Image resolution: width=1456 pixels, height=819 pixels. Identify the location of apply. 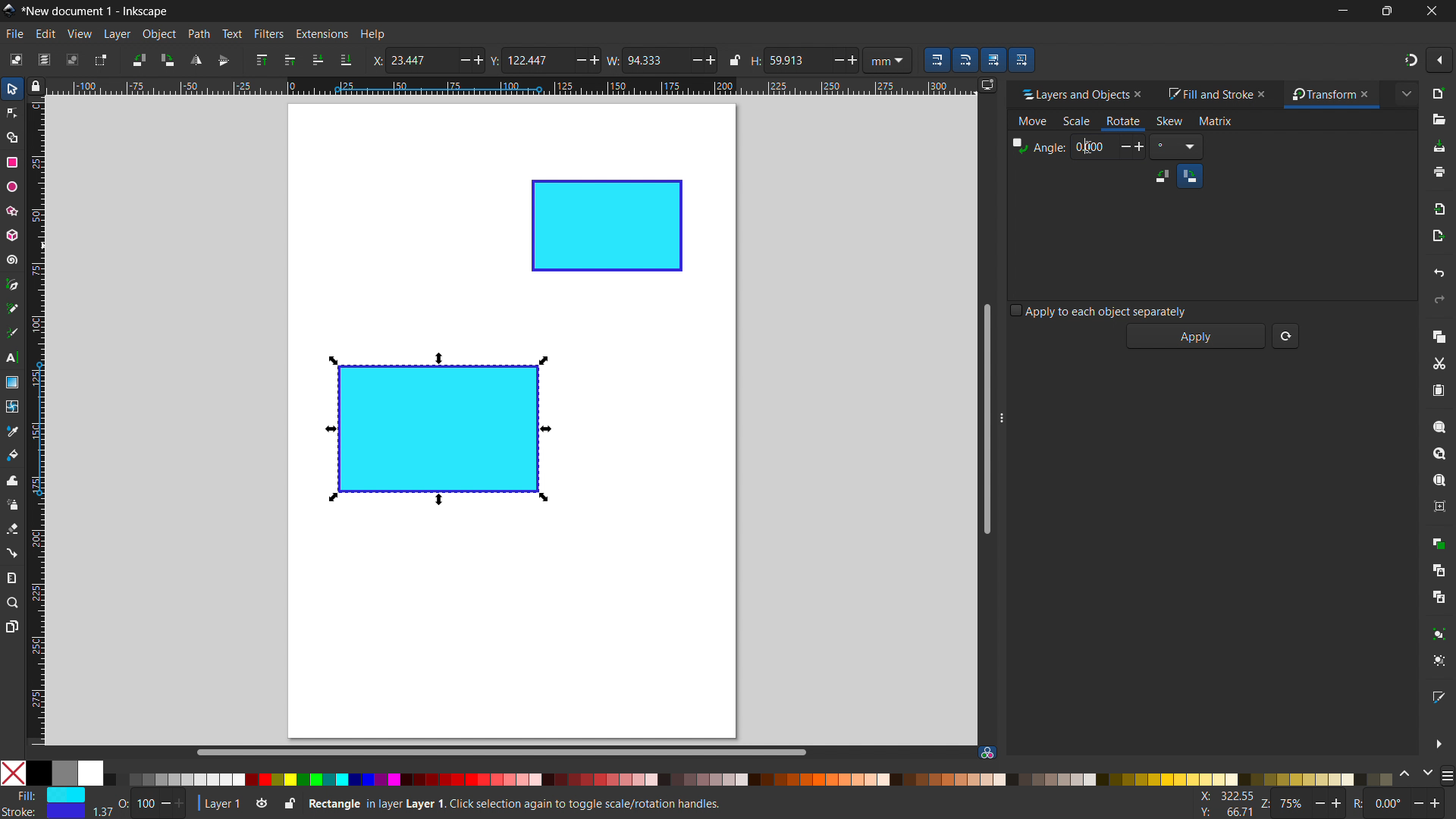
(1197, 337).